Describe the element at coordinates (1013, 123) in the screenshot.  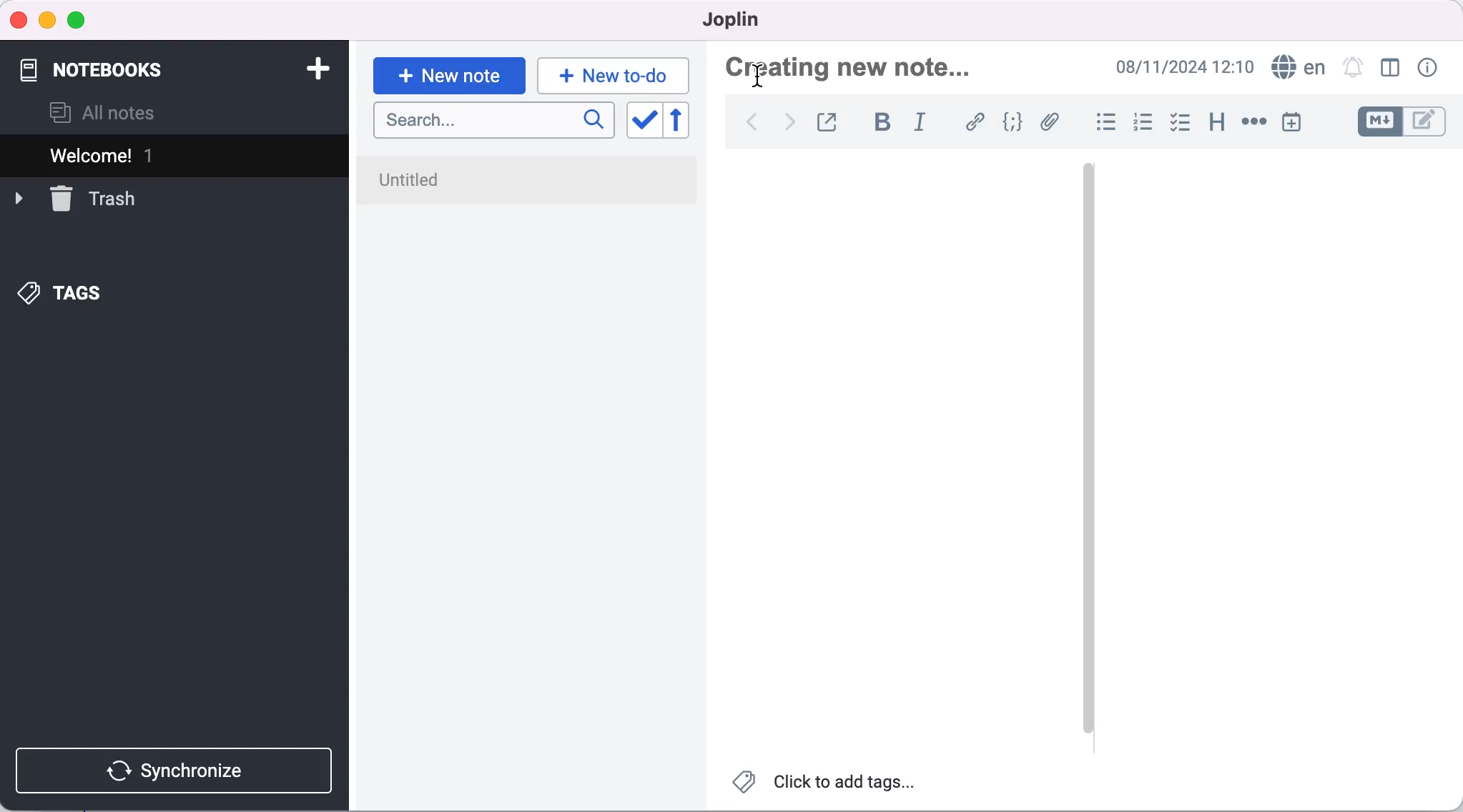
I see `code` at that location.